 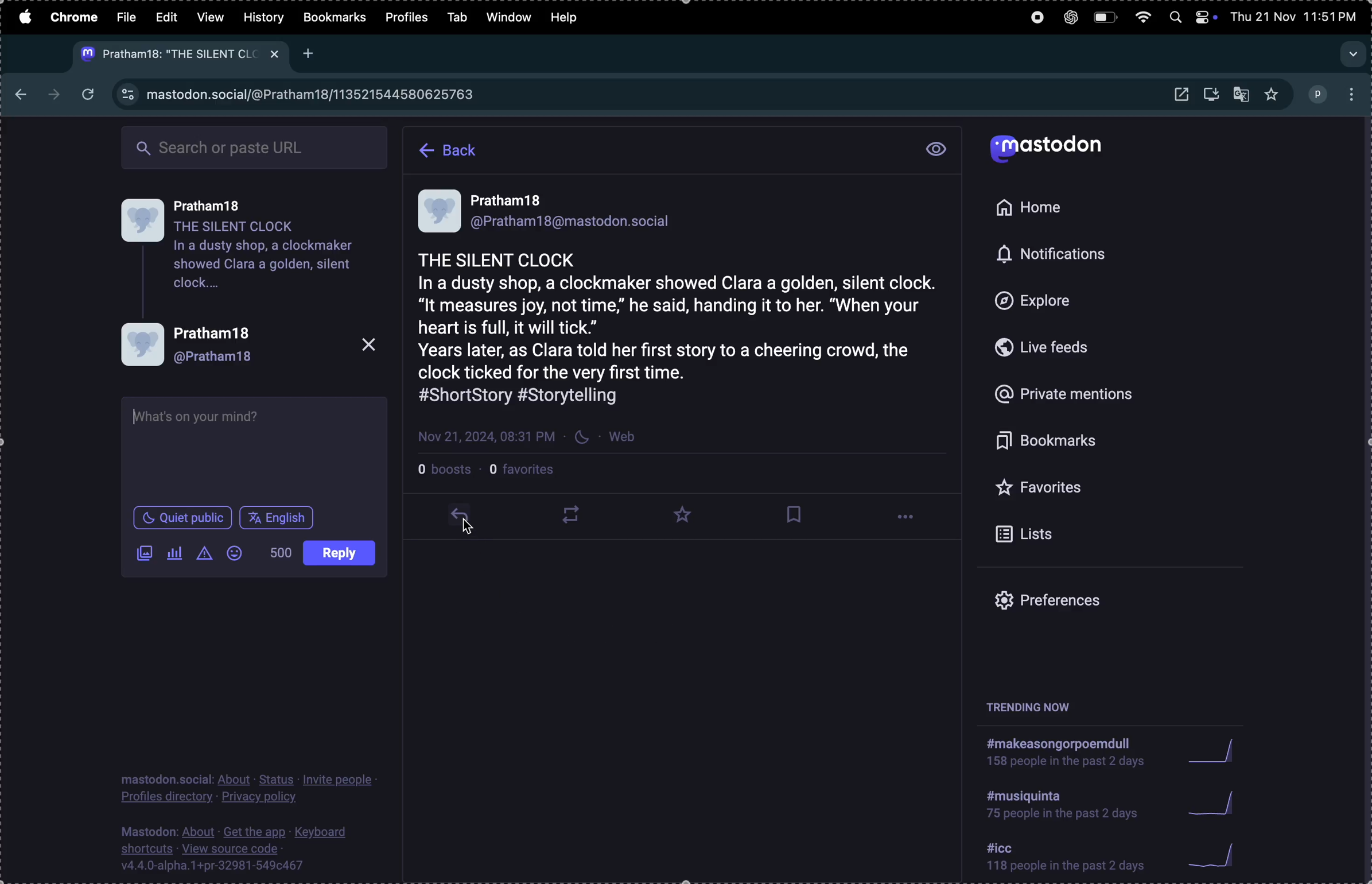 What do you see at coordinates (284, 517) in the screenshot?
I see `post` at bounding box center [284, 517].